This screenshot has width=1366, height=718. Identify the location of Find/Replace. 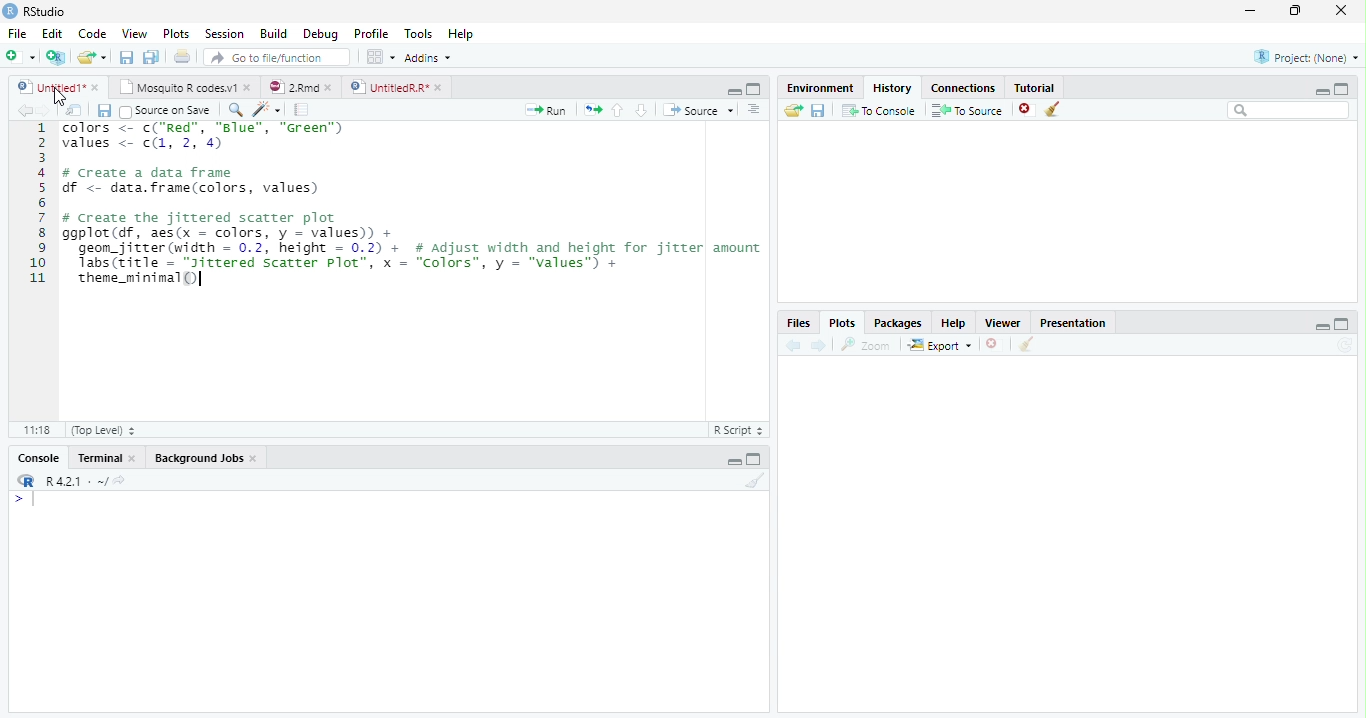
(236, 109).